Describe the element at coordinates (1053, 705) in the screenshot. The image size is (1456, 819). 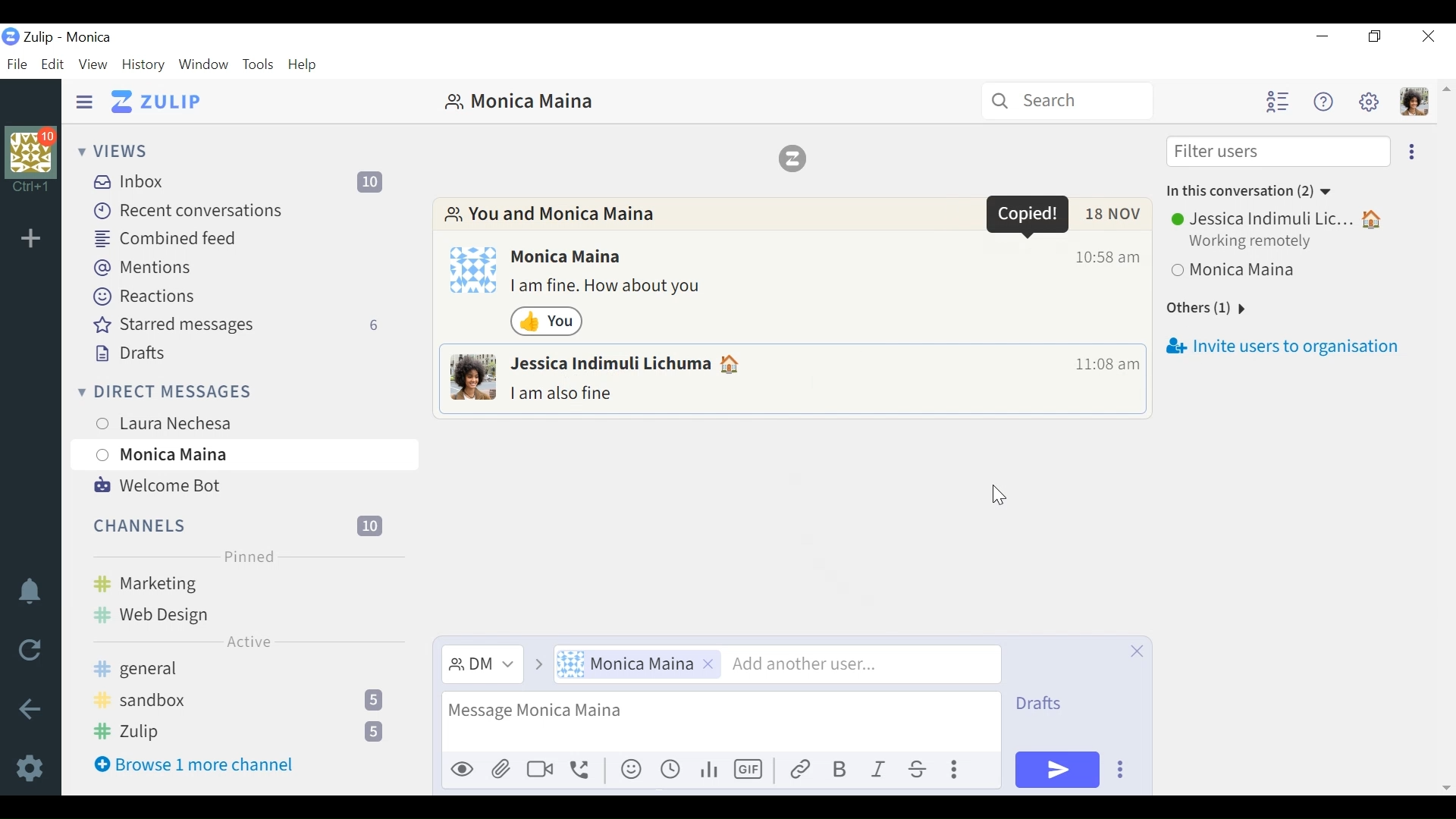
I see `view drafts` at that location.